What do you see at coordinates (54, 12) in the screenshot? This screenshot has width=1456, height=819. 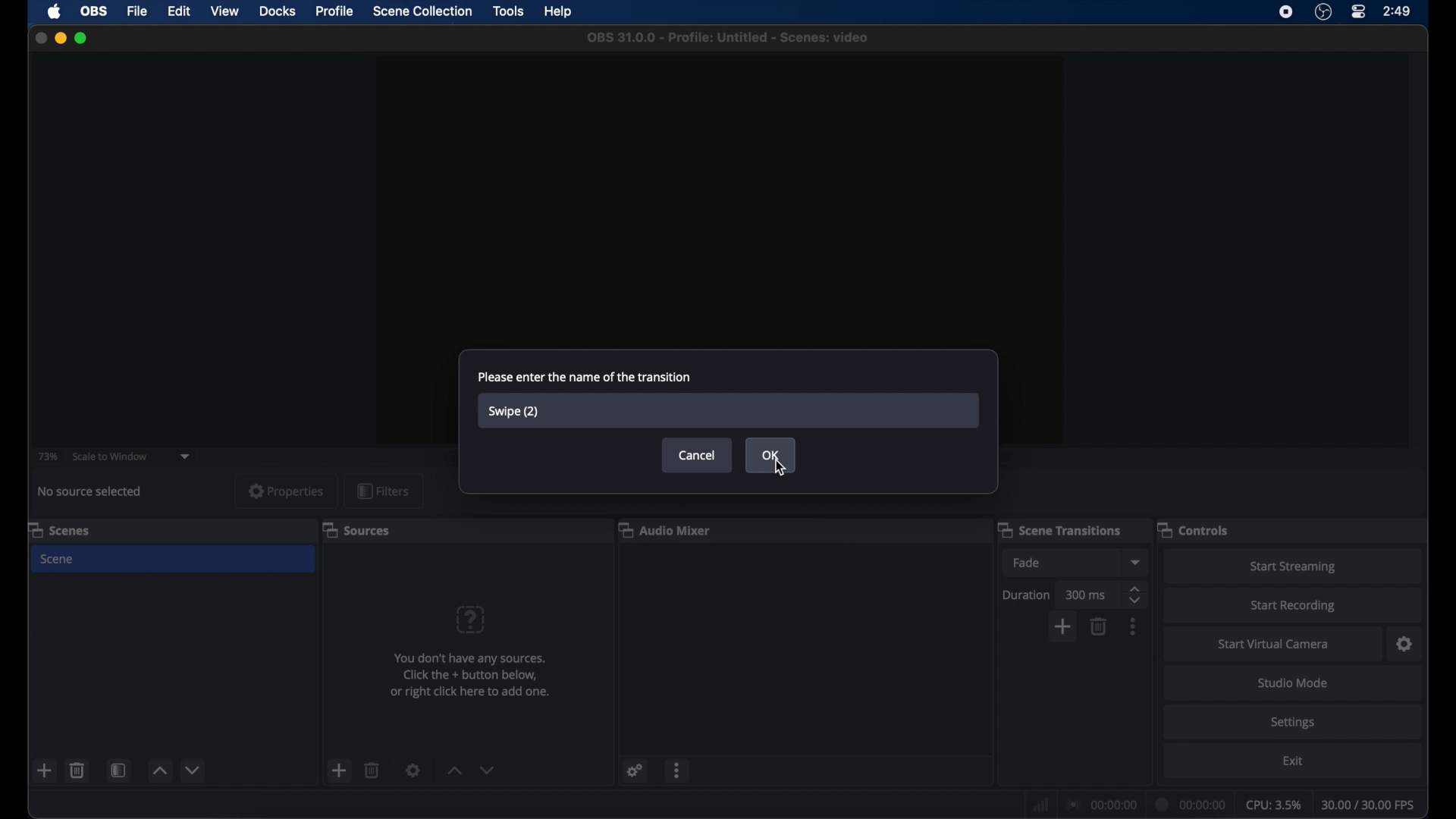 I see `apple icon` at bounding box center [54, 12].